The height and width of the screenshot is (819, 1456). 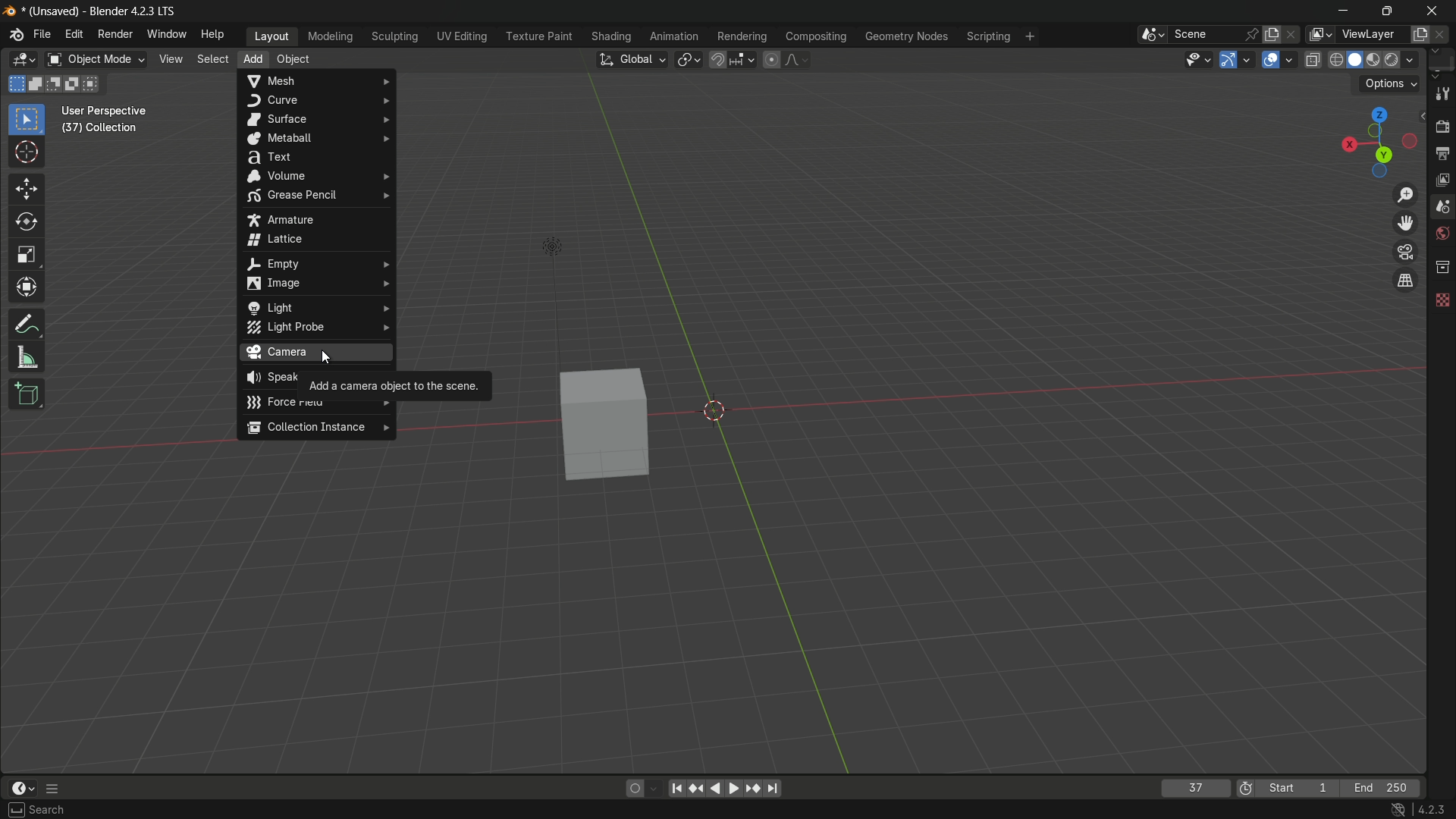 What do you see at coordinates (814, 36) in the screenshot?
I see `compositing menu` at bounding box center [814, 36].